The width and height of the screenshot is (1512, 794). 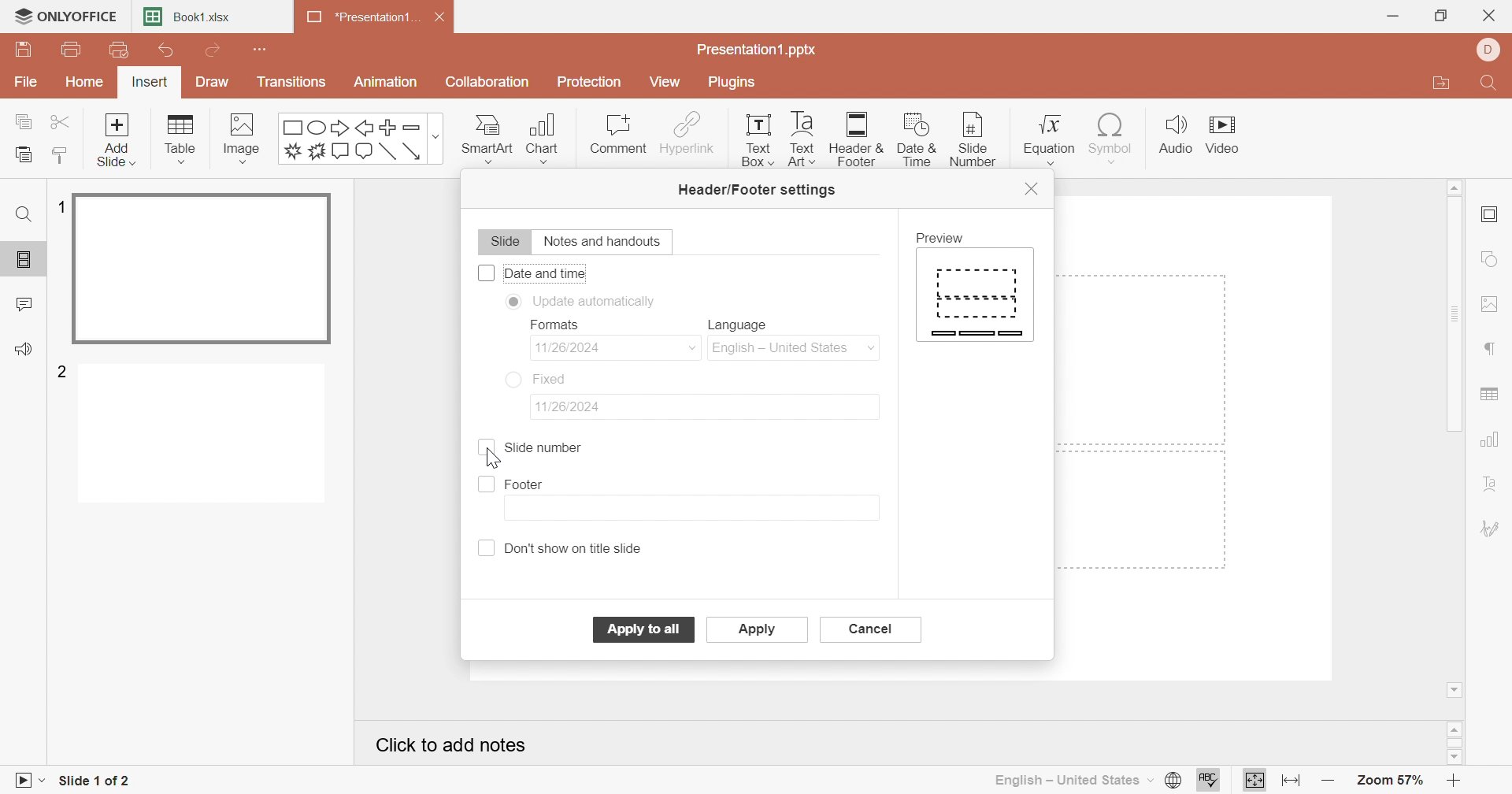 What do you see at coordinates (64, 370) in the screenshot?
I see `2` at bounding box center [64, 370].